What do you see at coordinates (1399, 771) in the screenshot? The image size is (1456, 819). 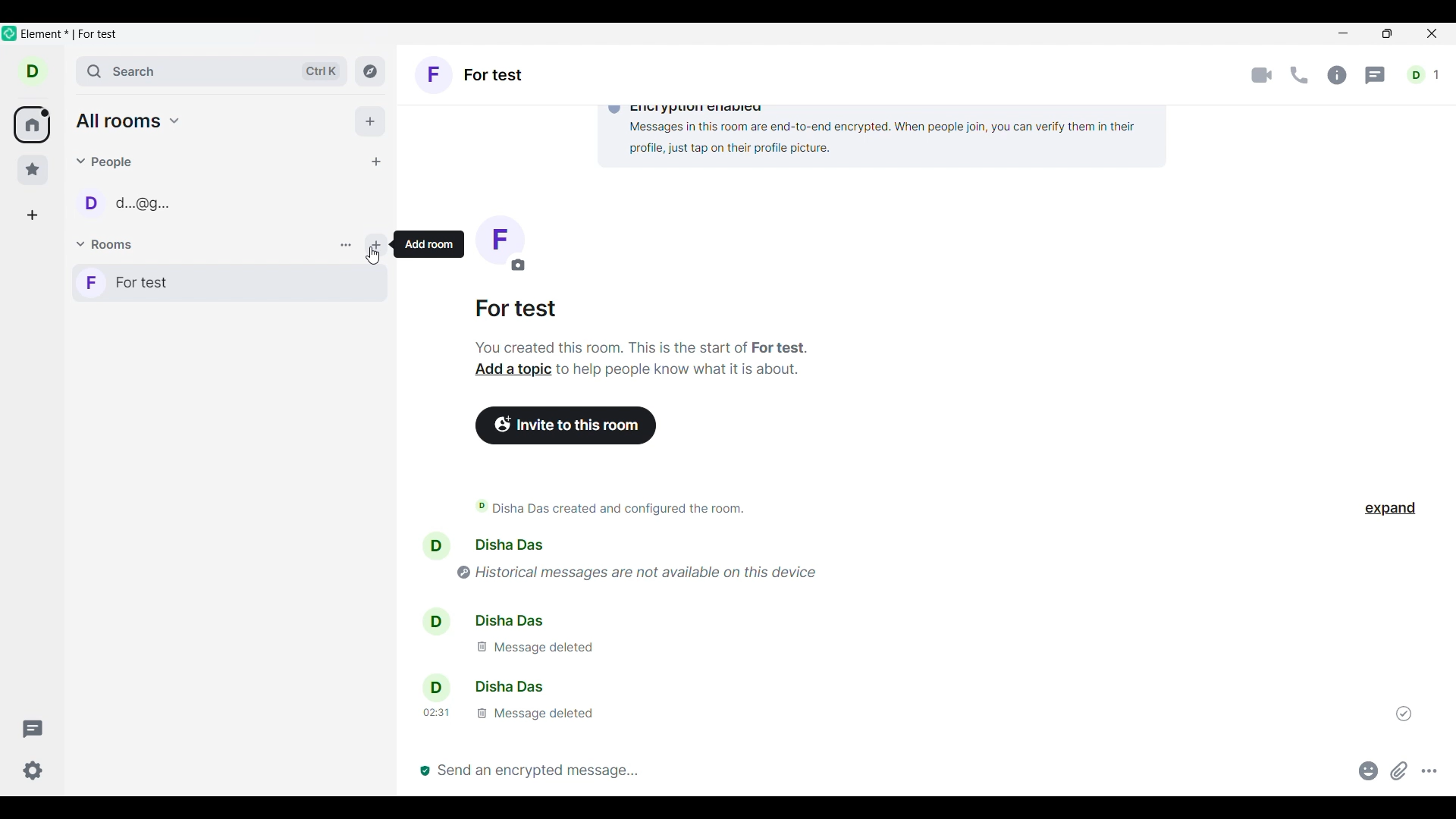 I see `Attachement` at bounding box center [1399, 771].